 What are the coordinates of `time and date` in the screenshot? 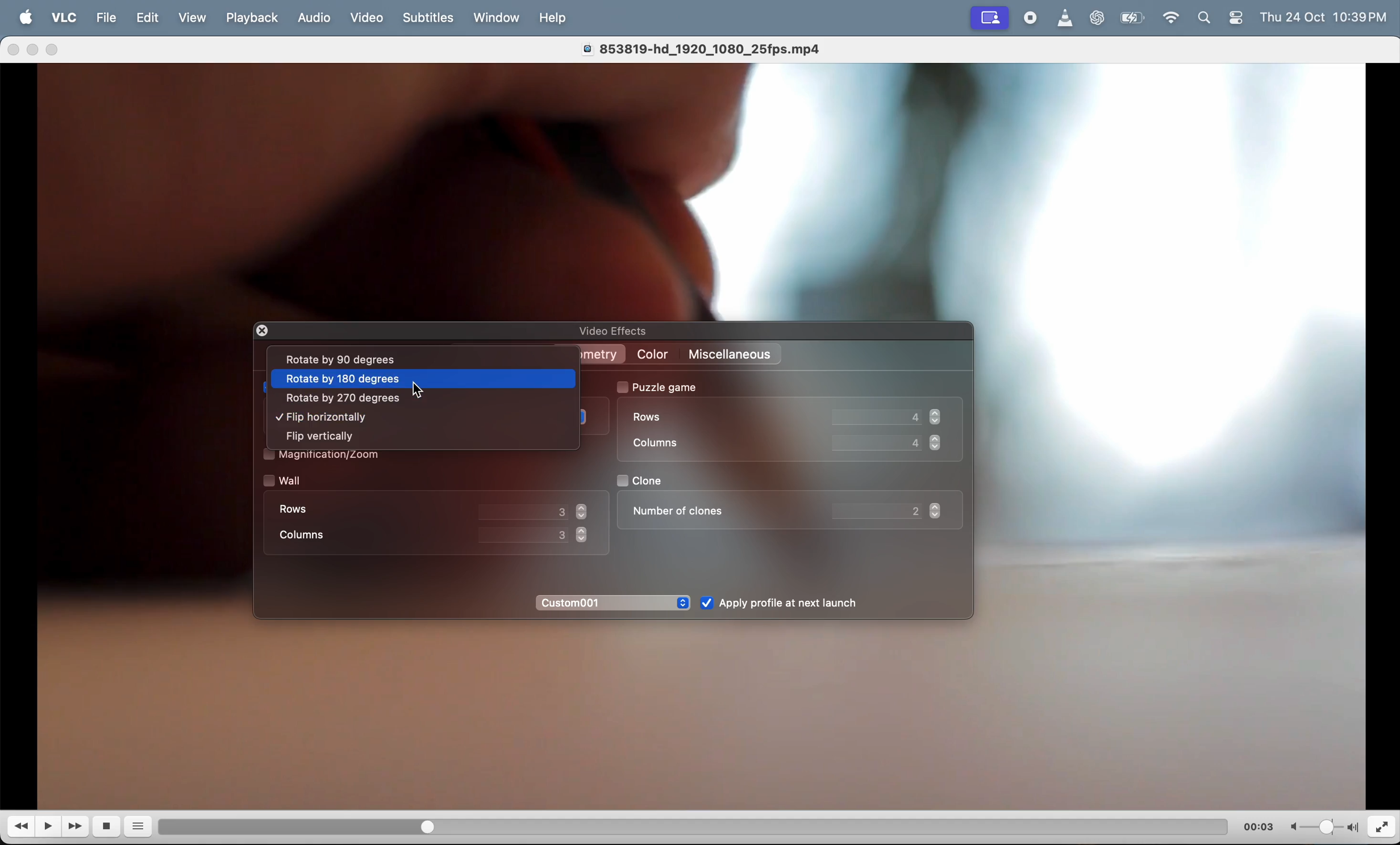 It's located at (1328, 16).